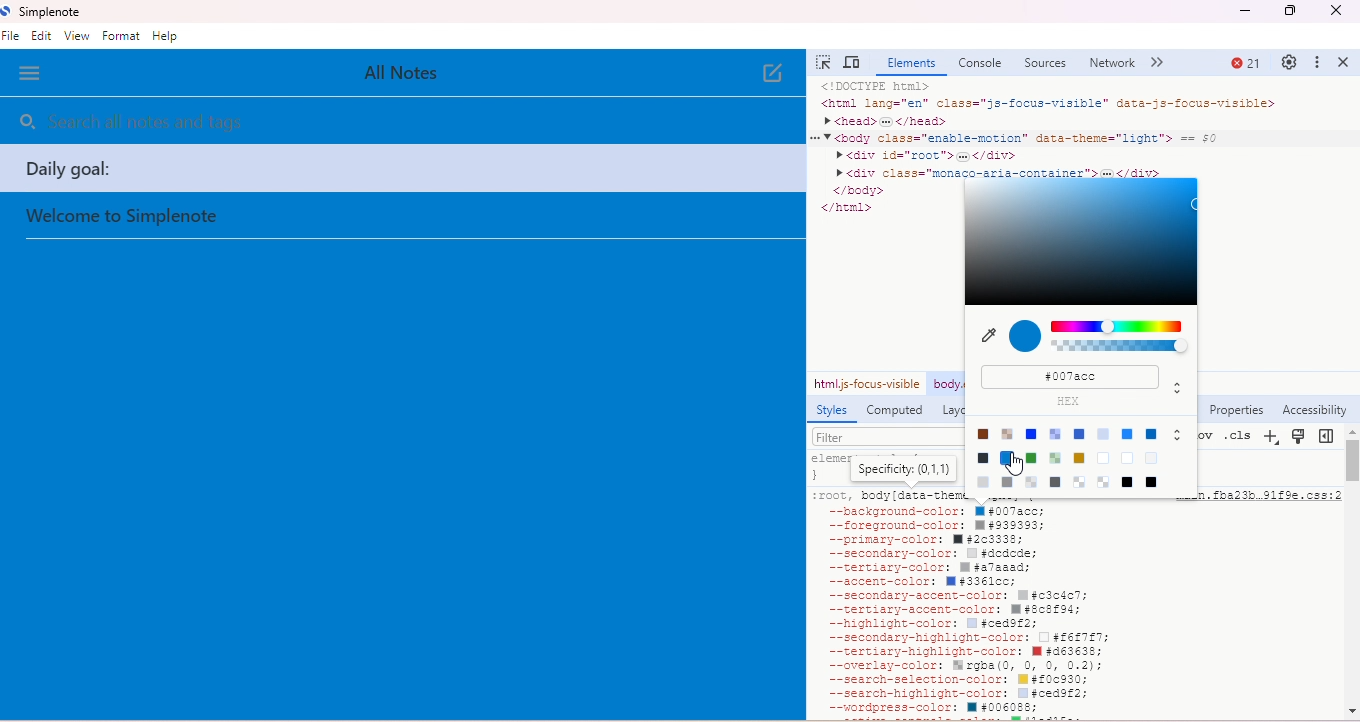  What do you see at coordinates (824, 62) in the screenshot?
I see `select element` at bounding box center [824, 62].